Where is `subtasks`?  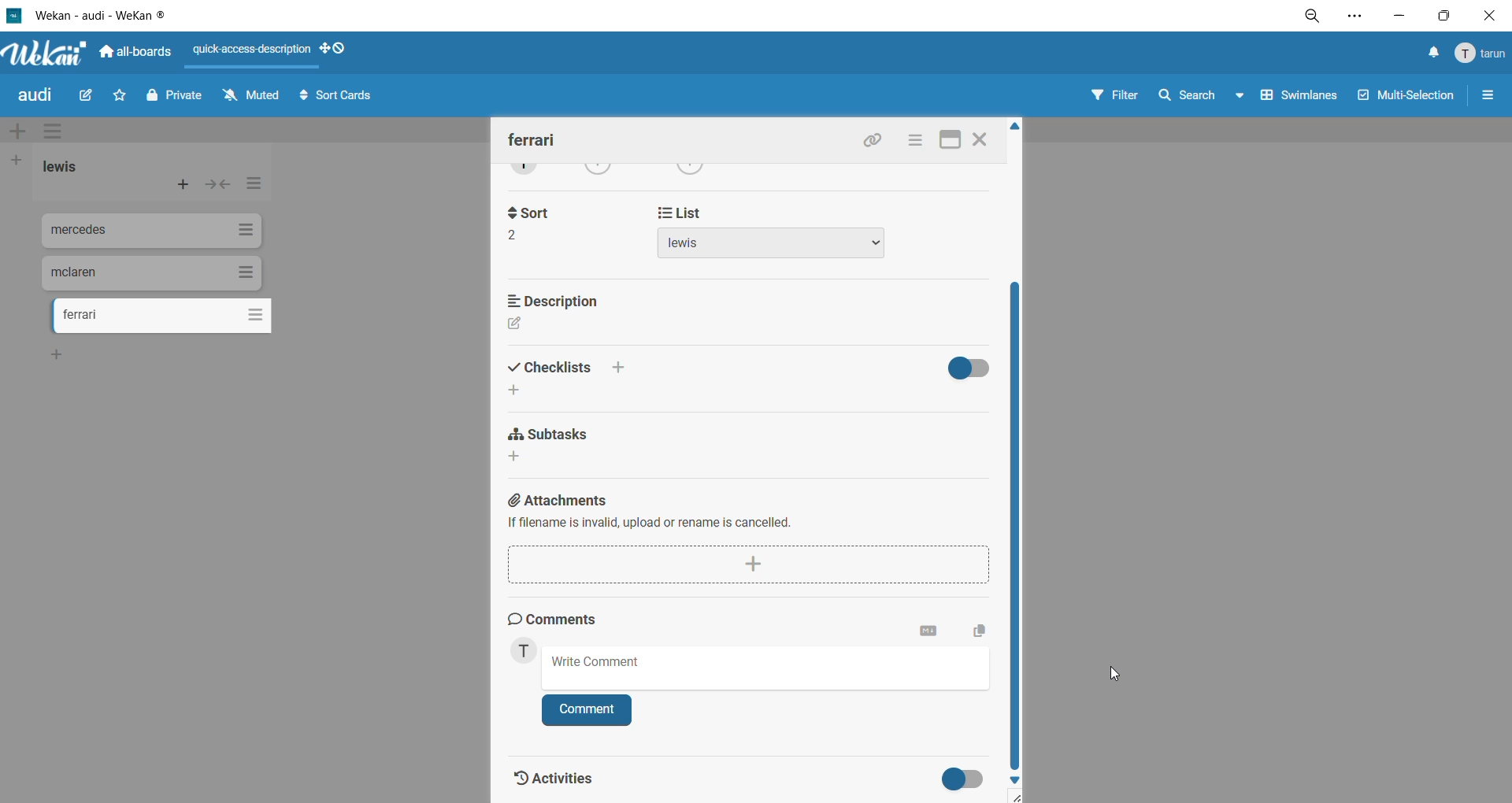
subtasks is located at coordinates (548, 435).